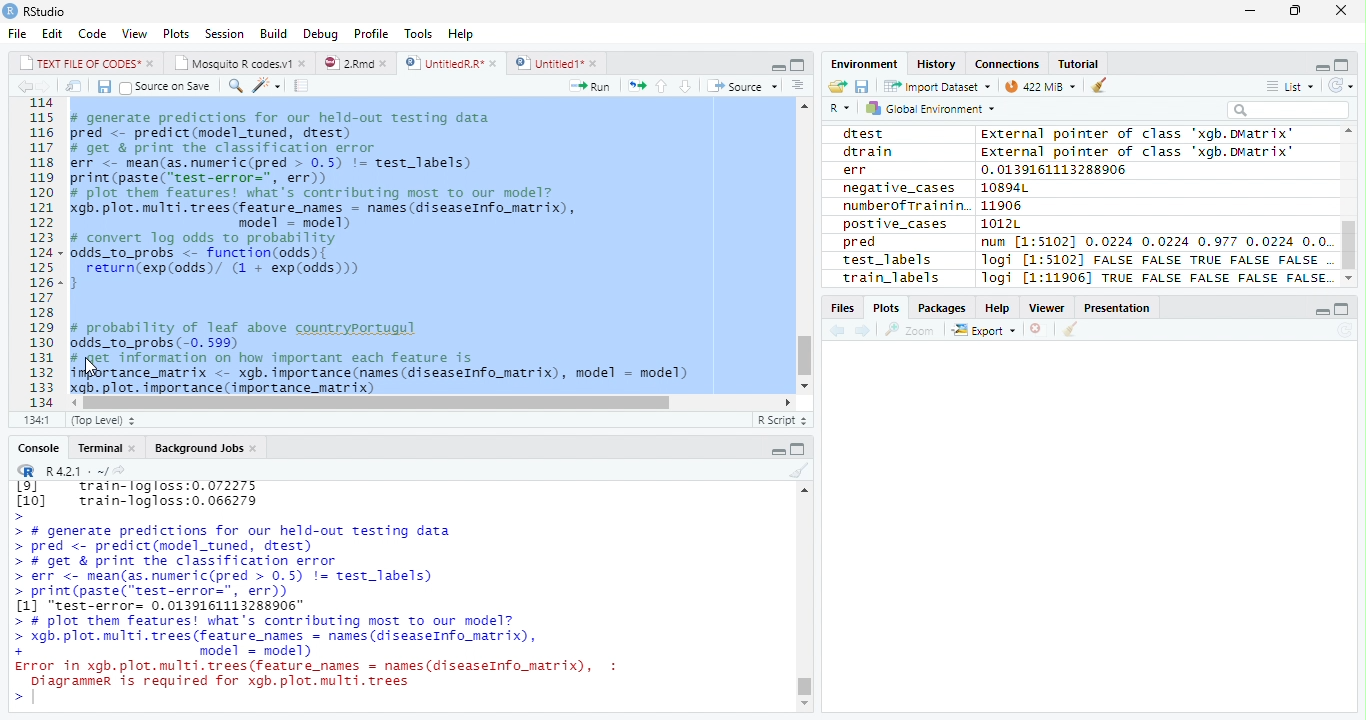 The height and width of the screenshot is (720, 1366). What do you see at coordinates (266, 84) in the screenshot?
I see `Coding Tools` at bounding box center [266, 84].